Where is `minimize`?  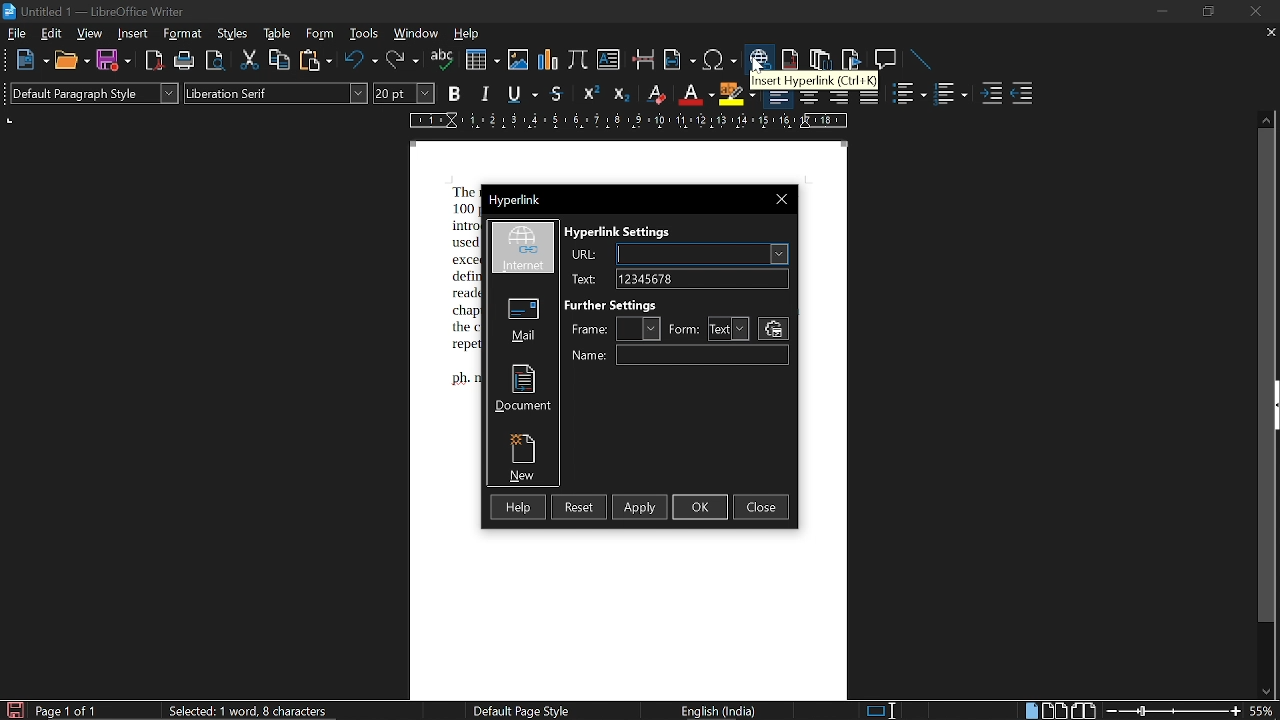
minimize is located at coordinates (1162, 12).